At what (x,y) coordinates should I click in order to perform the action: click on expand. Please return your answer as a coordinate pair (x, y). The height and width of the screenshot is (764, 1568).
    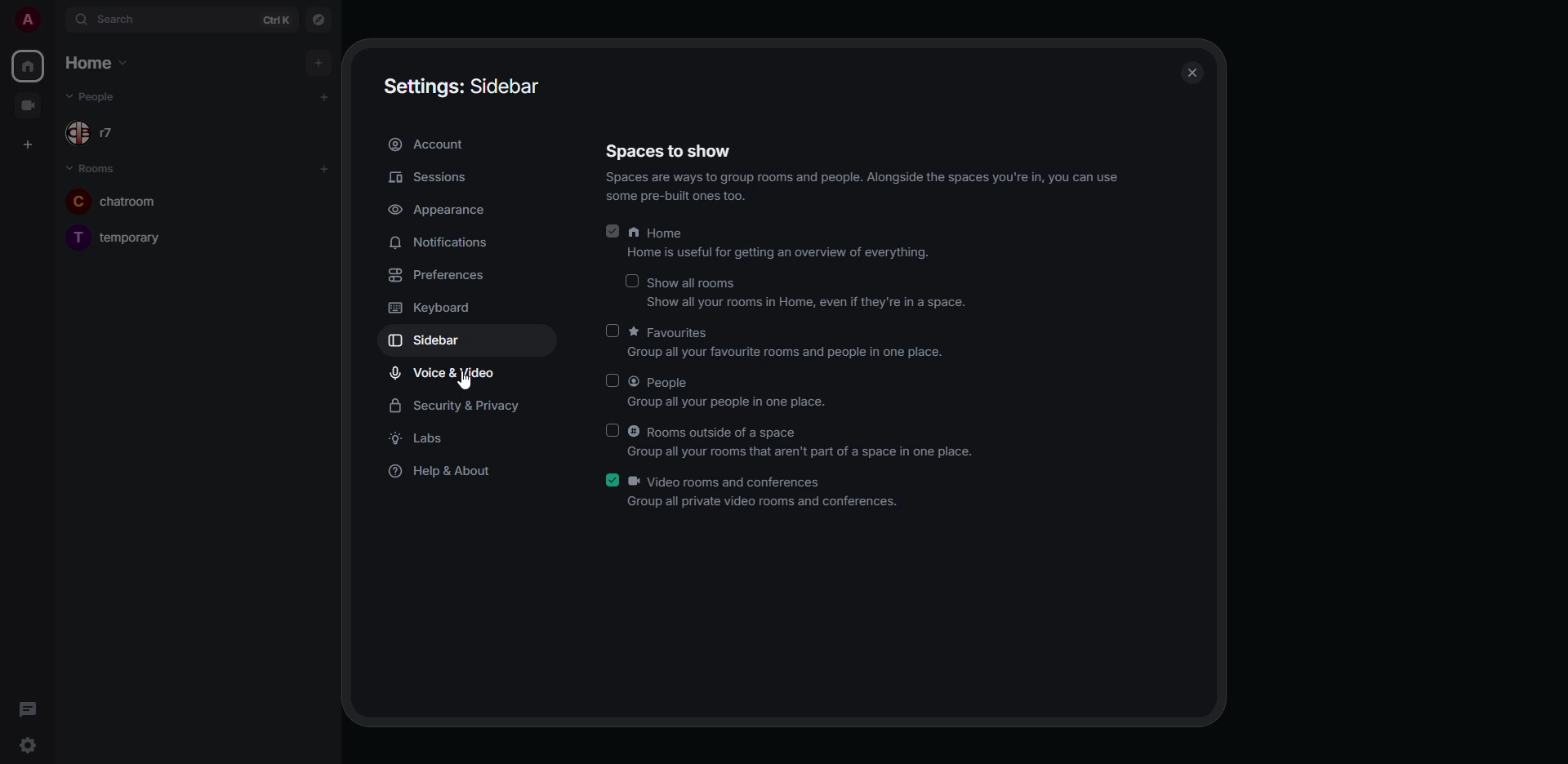
    Looking at the image, I should click on (54, 21).